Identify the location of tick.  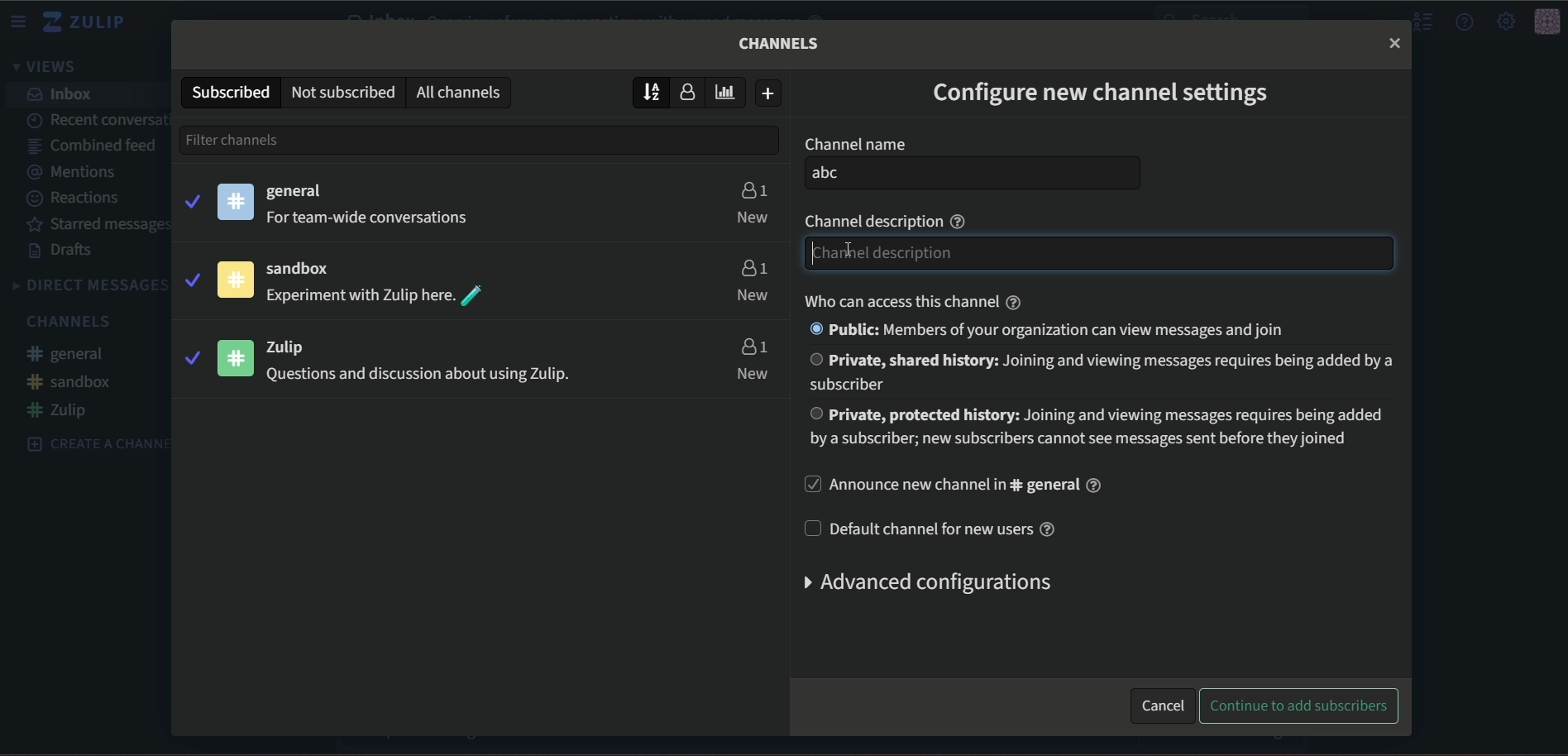
(190, 357).